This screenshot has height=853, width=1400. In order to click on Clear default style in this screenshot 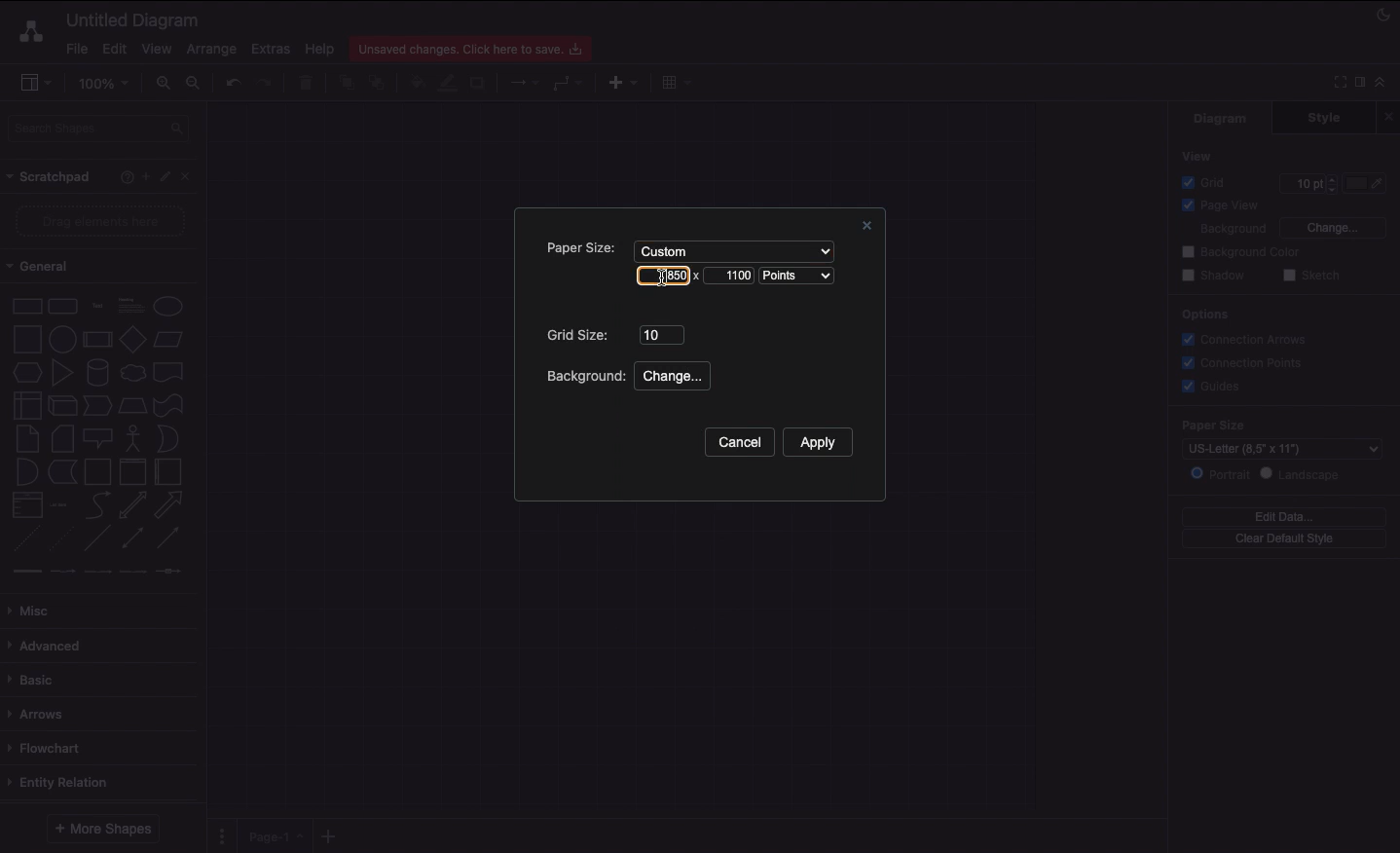, I will do `click(1283, 539)`.